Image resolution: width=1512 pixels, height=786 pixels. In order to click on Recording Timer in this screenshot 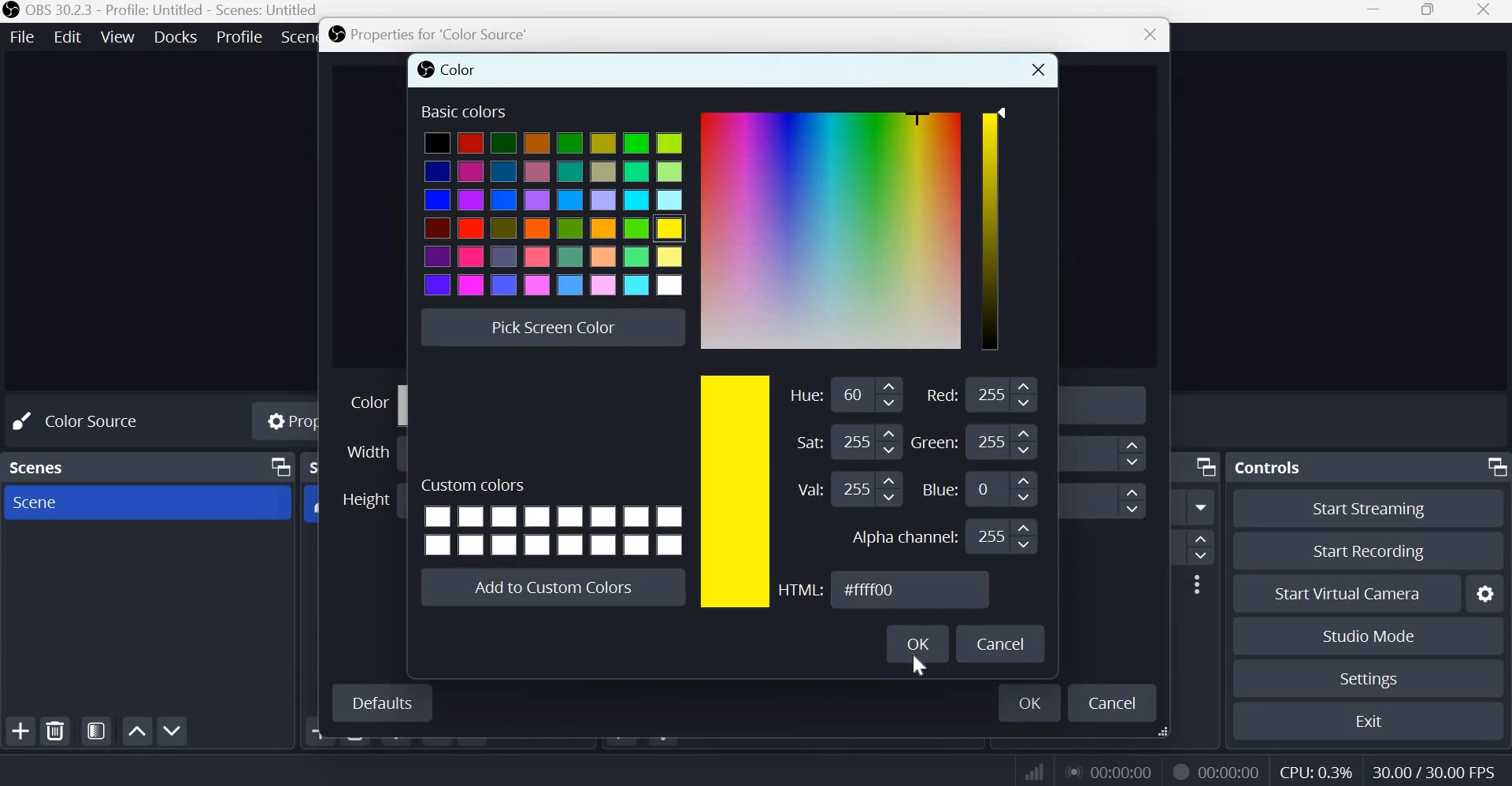, I will do `click(1231, 771)`.